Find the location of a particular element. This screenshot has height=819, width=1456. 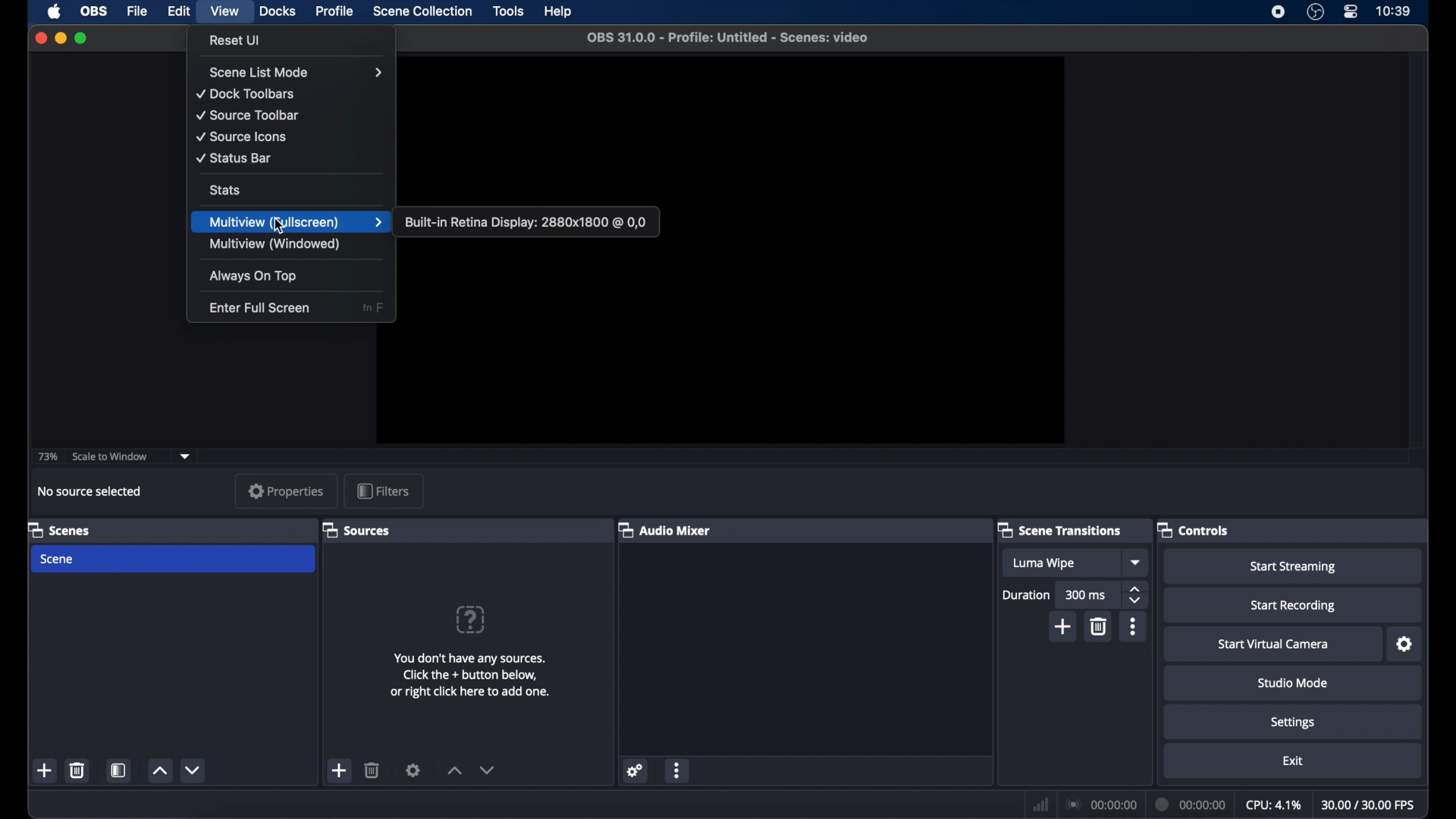

scene transitions is located at coordinates (1059, 529).